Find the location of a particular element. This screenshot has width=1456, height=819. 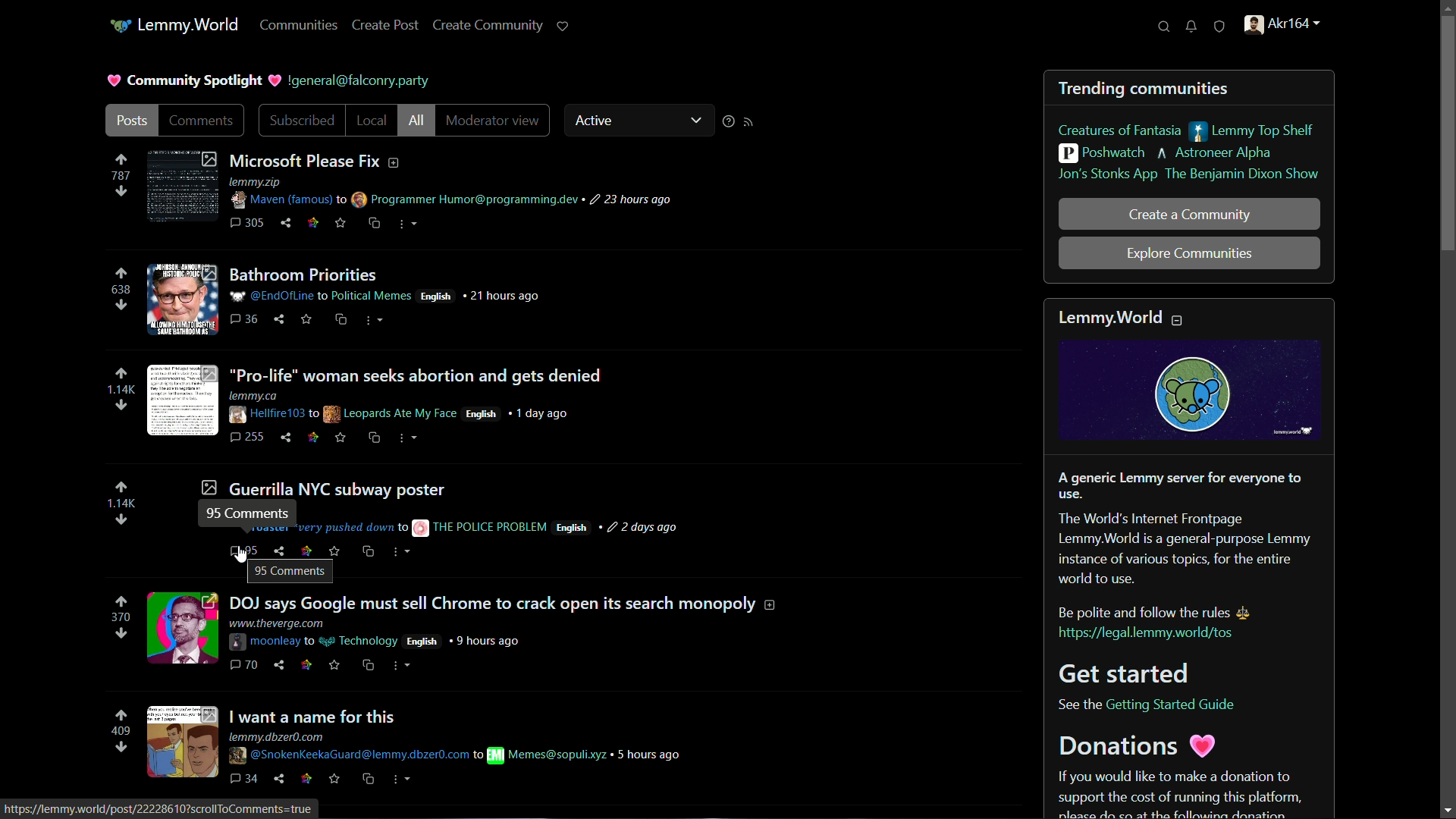

image is located at coordinates (1189, 391).